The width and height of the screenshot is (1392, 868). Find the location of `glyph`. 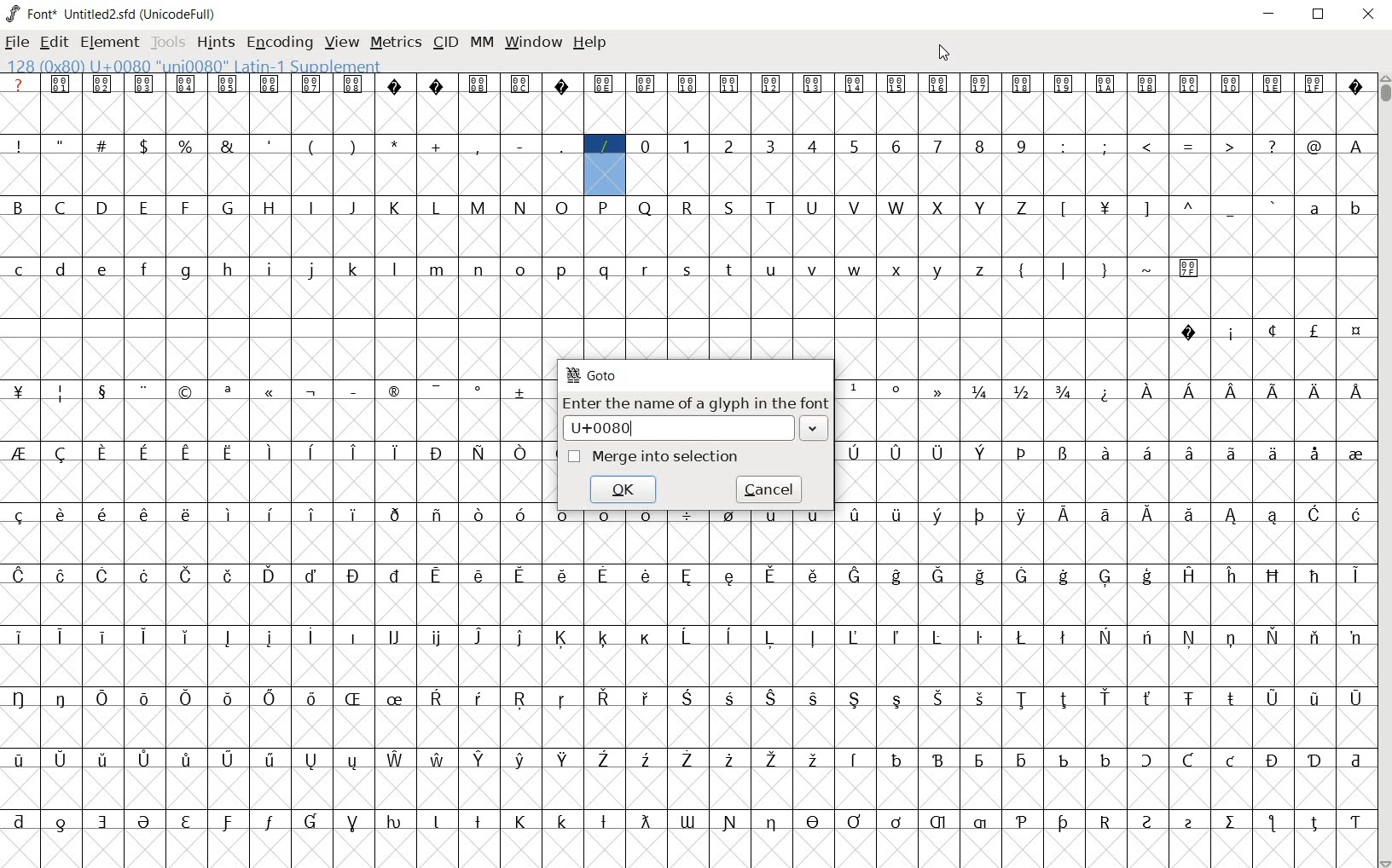

glyph is located at coordinates (936, 516).